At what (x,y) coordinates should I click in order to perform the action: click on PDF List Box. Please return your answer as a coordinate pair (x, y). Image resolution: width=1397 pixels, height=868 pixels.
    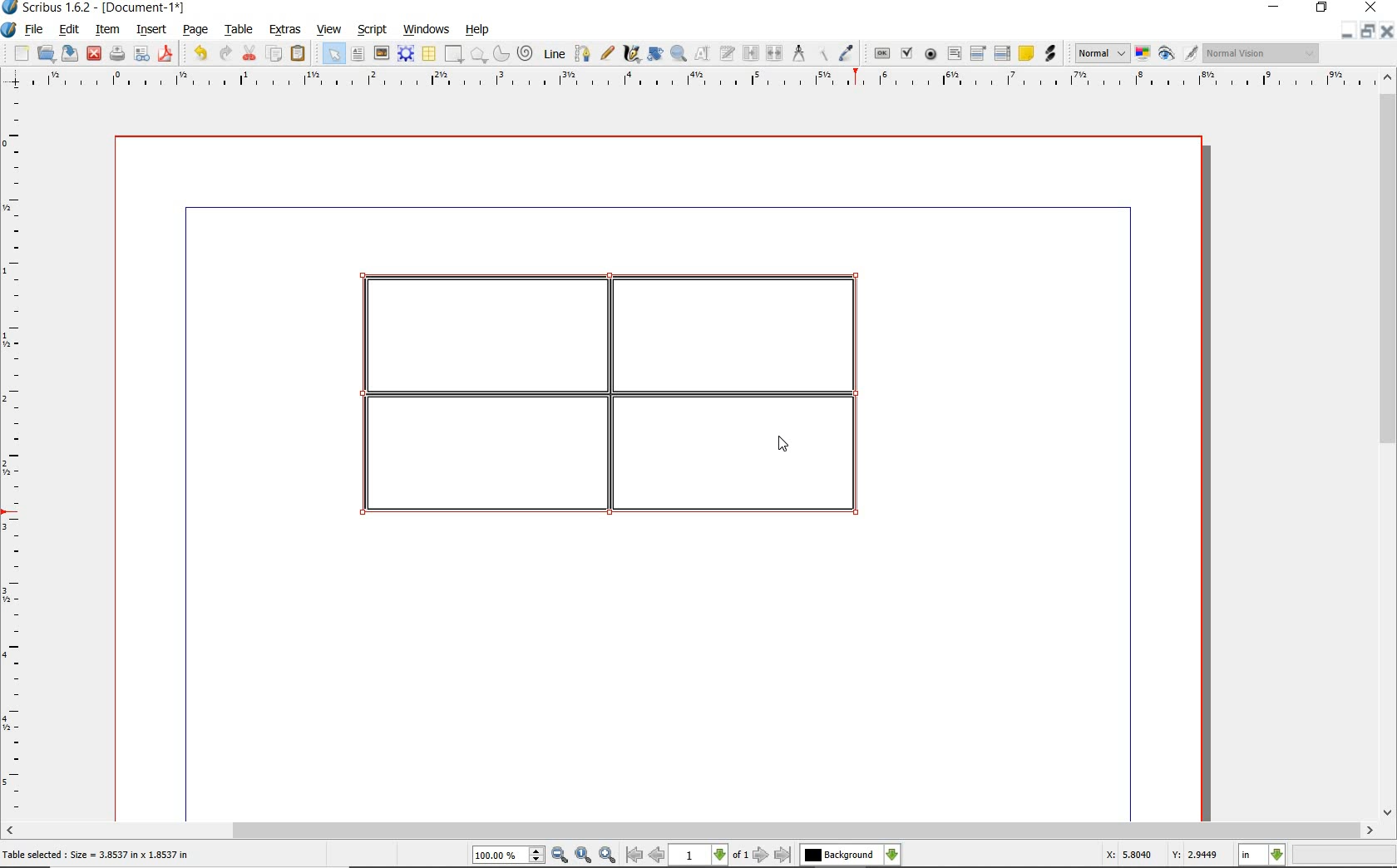
    Looking at the image, I should click on (1002, 53).